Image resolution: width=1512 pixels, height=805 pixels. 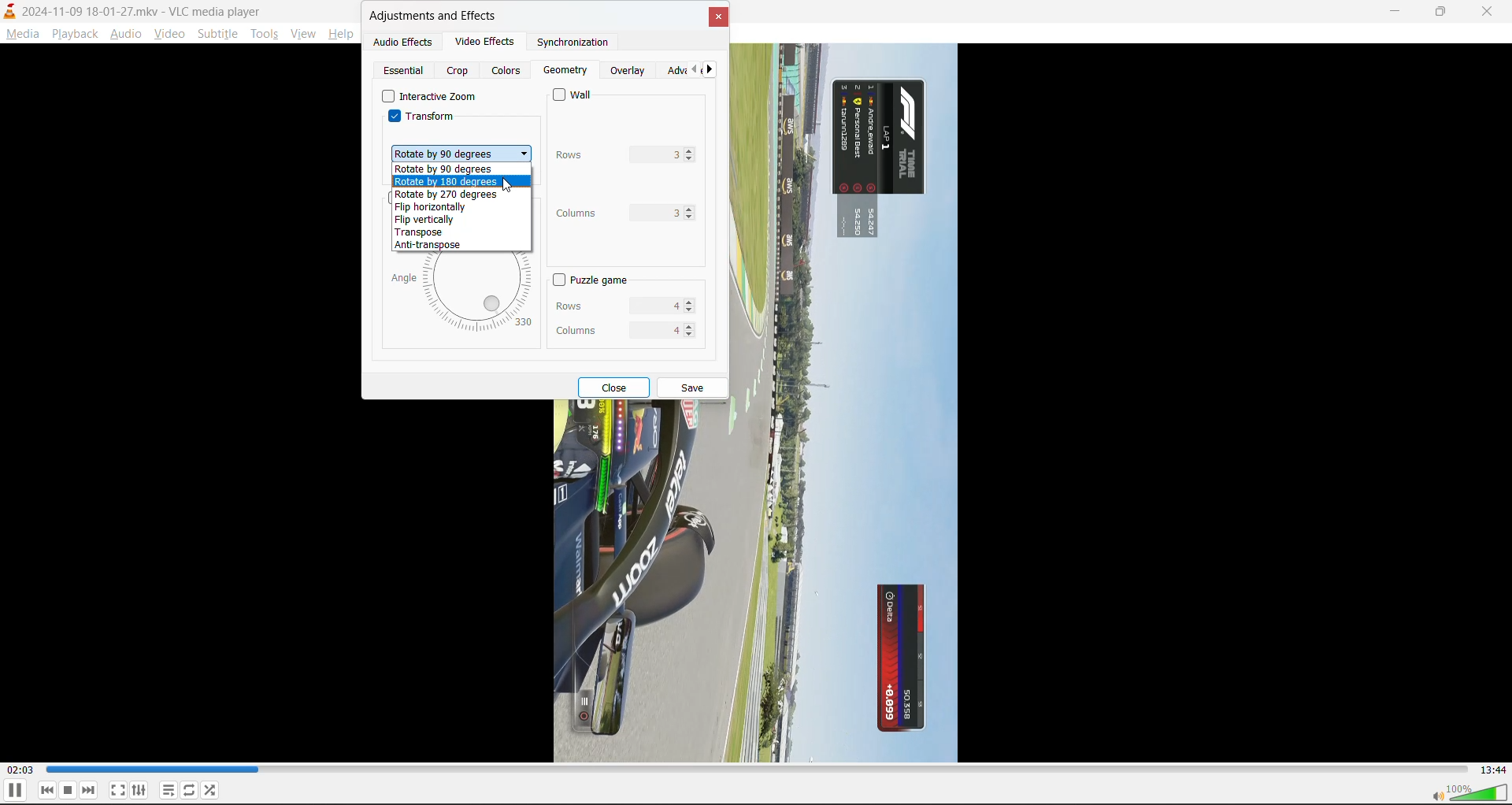 I want to click on maximize, so click(x=1449, y=13).